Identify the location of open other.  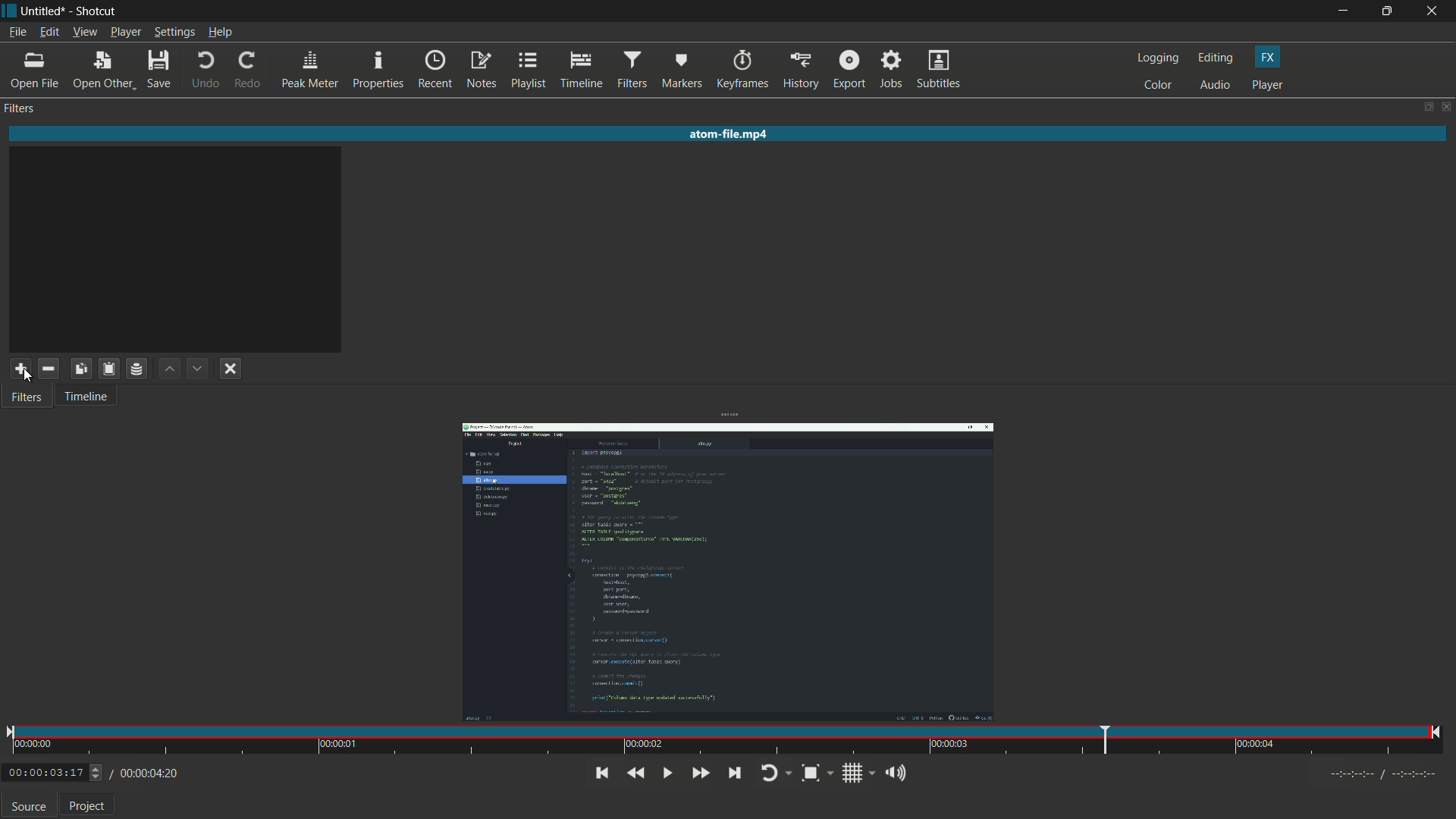
(102, 71).